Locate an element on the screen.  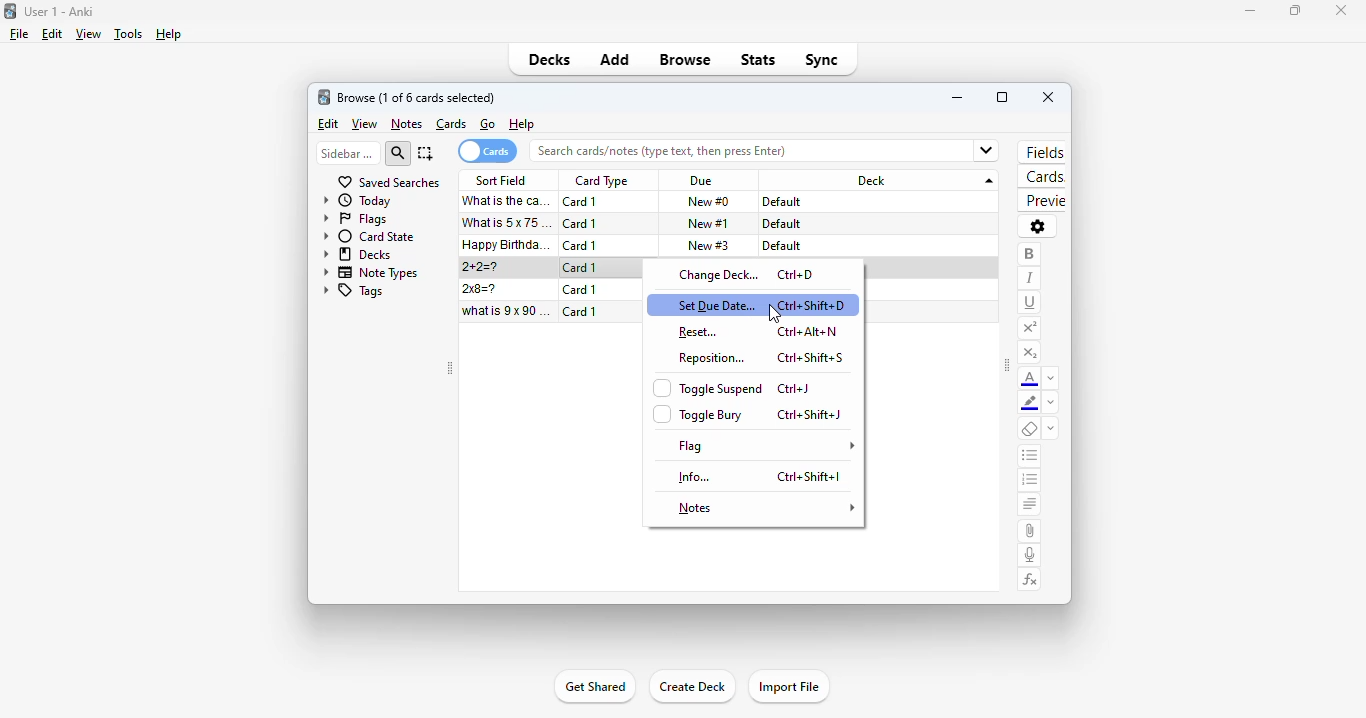
bold is located at coordinates (1029, 254).